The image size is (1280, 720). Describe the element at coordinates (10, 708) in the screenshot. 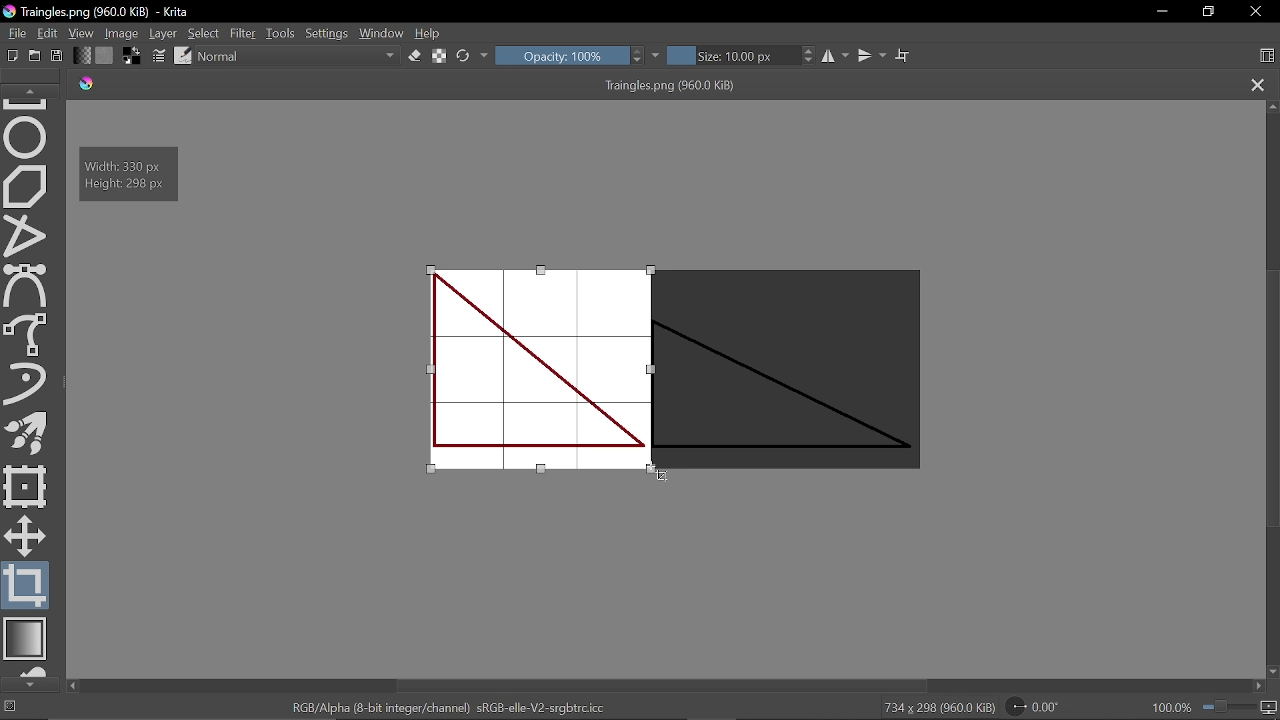

I see `No selection` at that location.